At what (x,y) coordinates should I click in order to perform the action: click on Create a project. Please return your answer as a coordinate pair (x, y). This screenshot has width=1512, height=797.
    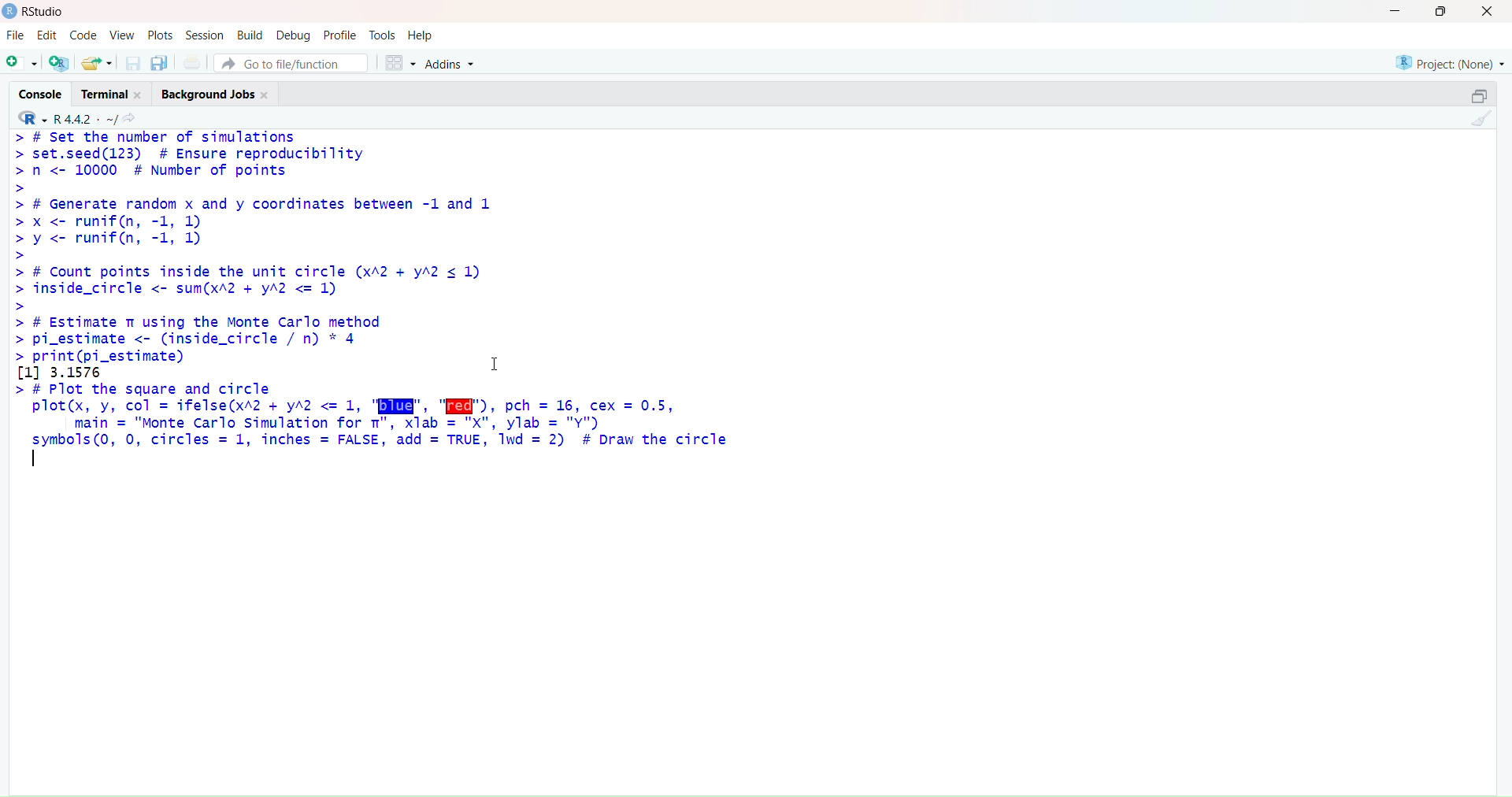
    Looking at the image, I should click on (62, 61).